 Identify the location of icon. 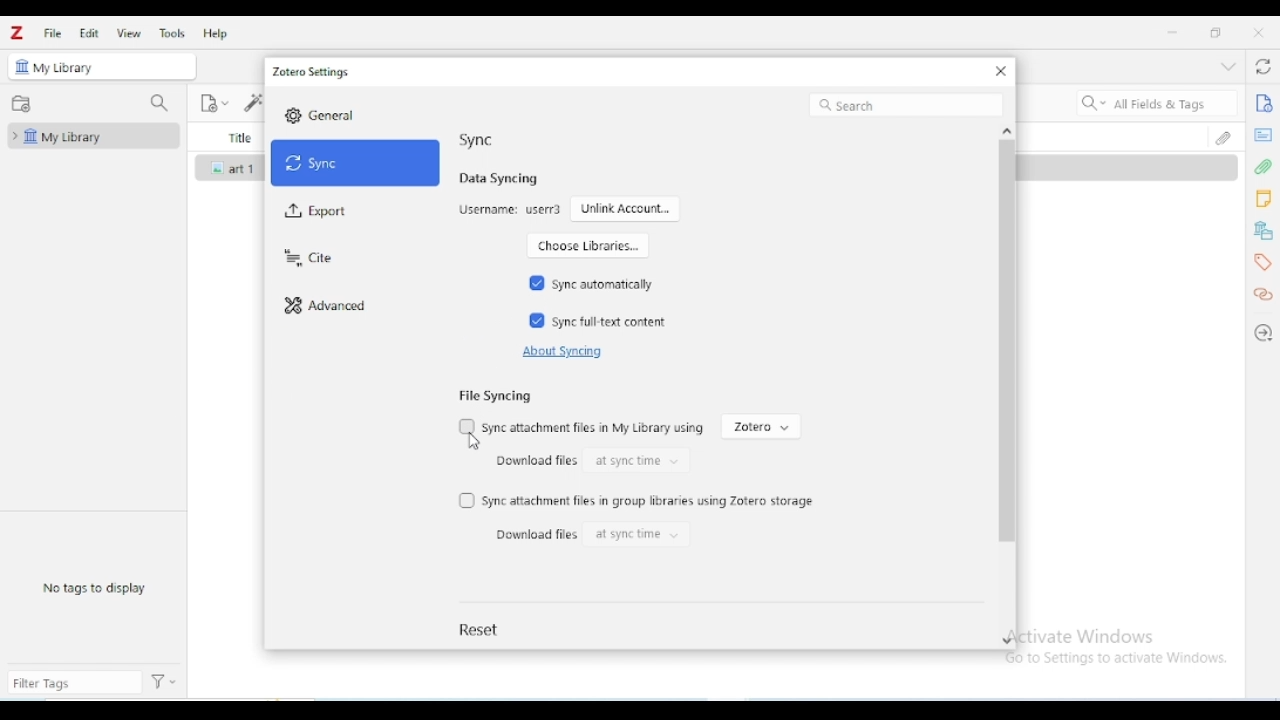
(23, 66).